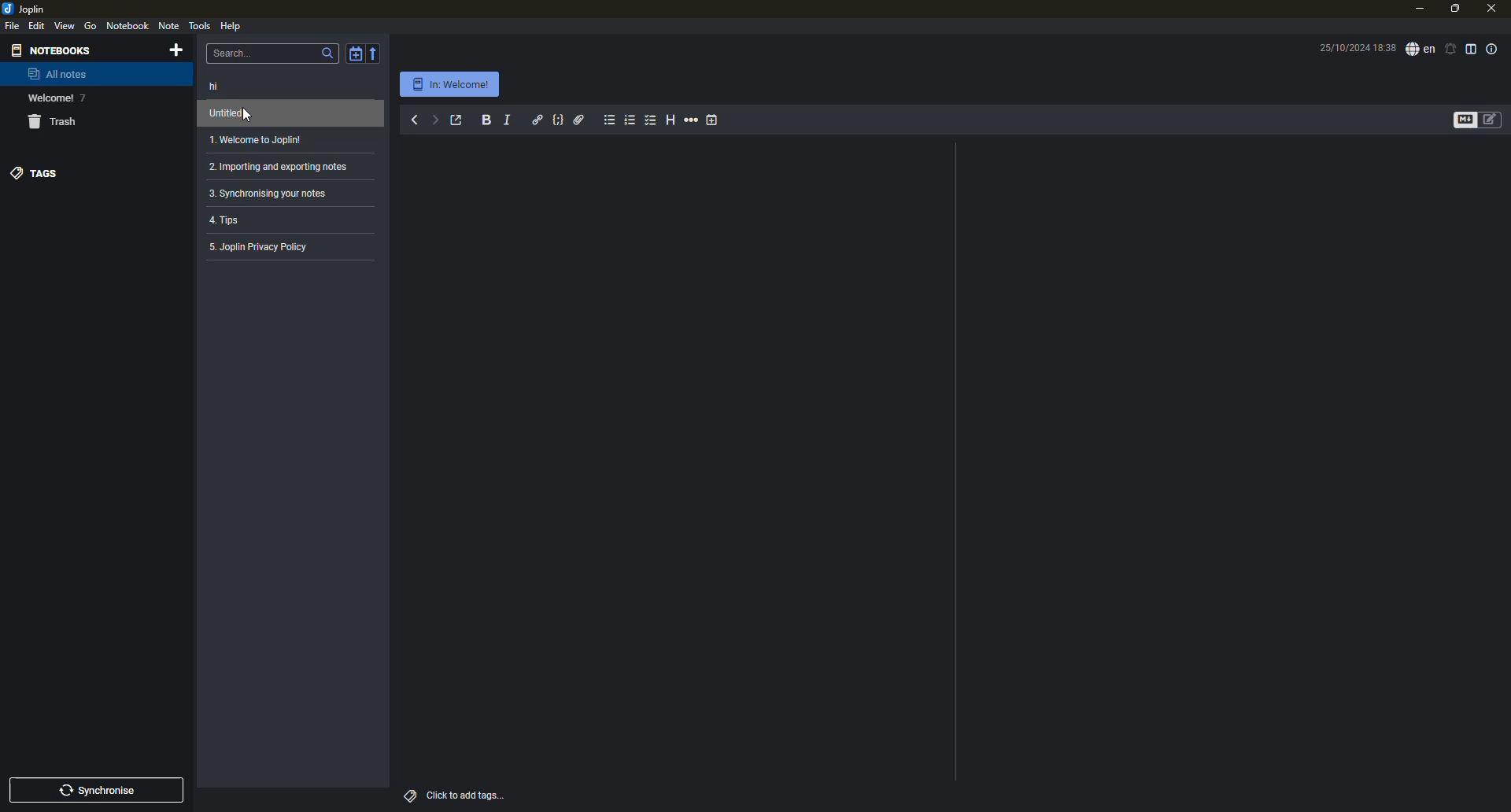  Describe the element at coordinates (559, 119) in the screenshot. I see `code` at that location.